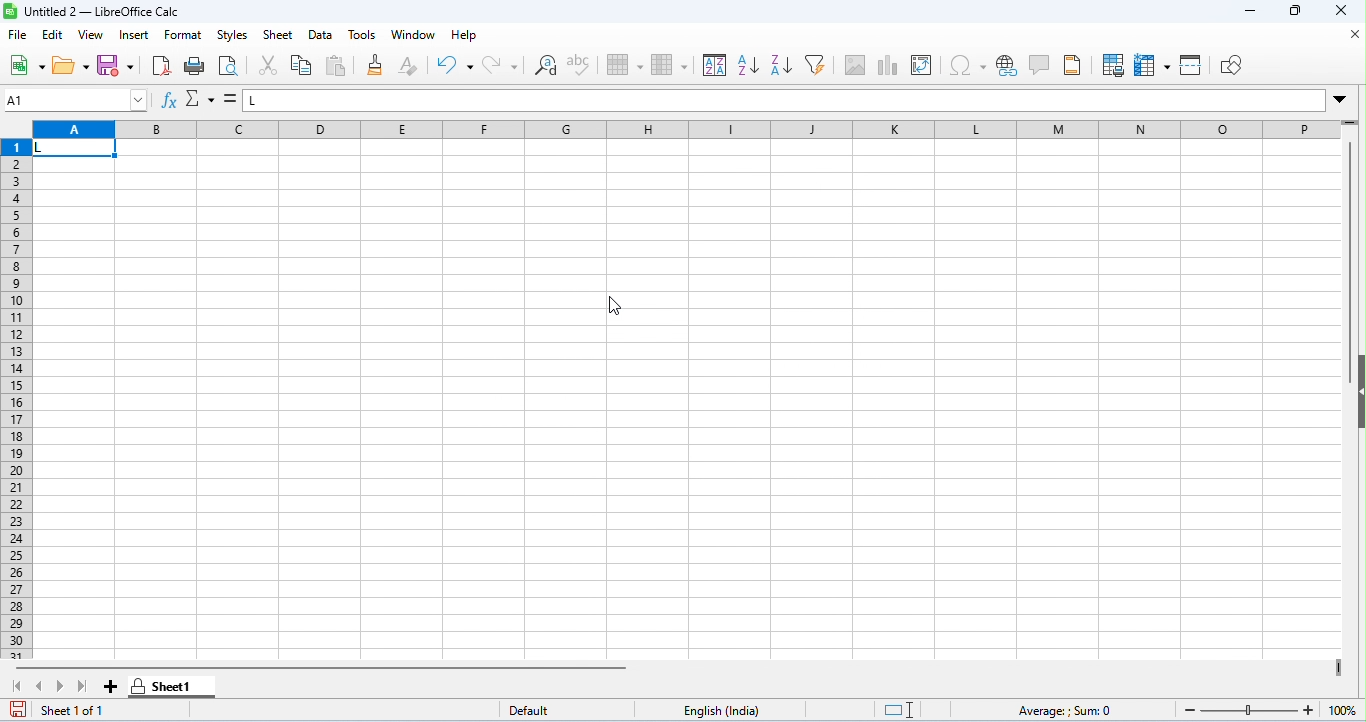 This screenshot has width=1366, height=722. What do you see at coordinates (782, 67) in the screenshot?
I see `sort descending` at bounding box center [782, 67].